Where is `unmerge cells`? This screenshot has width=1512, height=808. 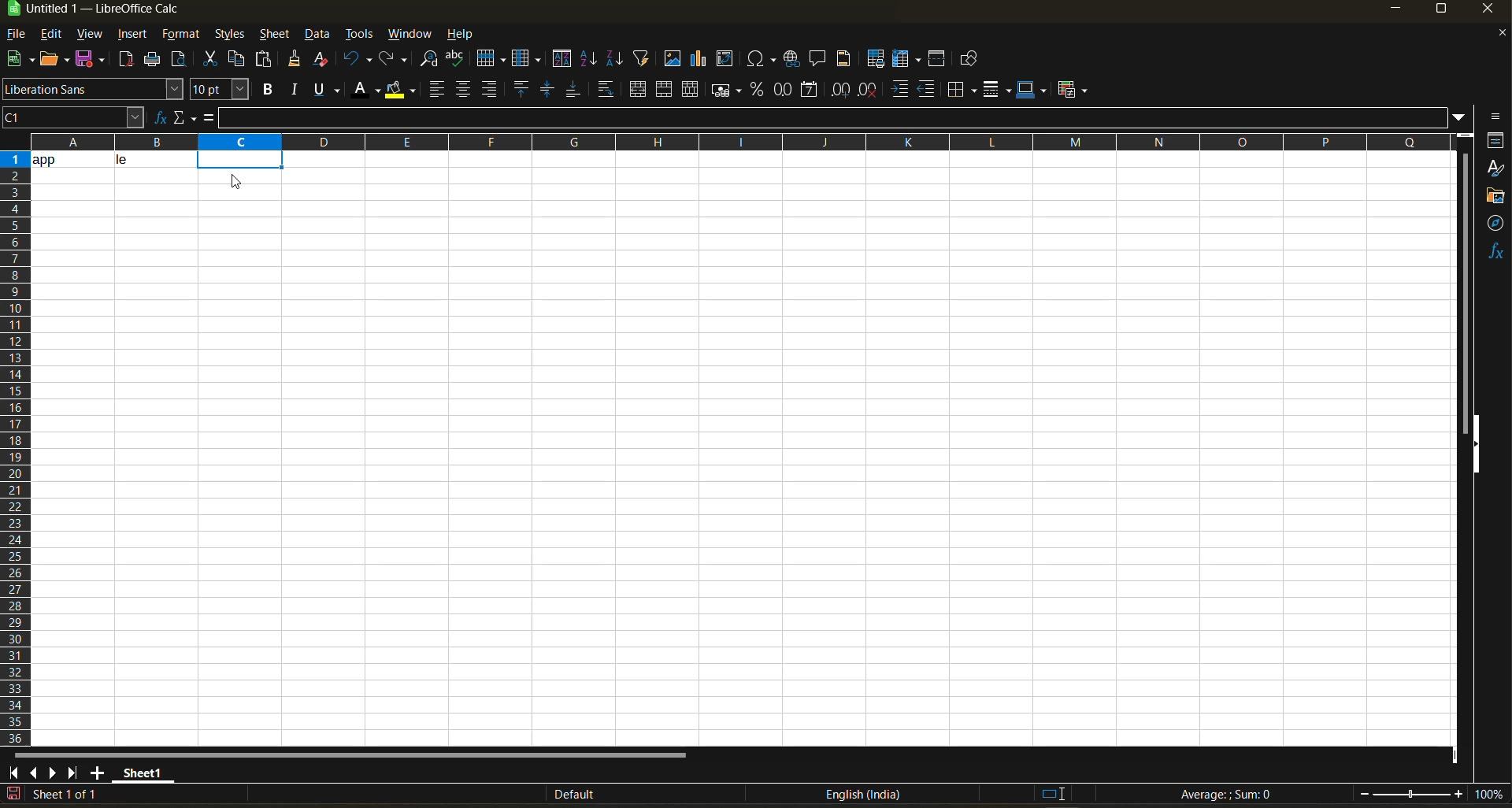 unmerge cells is located at coordinates (692, 90).